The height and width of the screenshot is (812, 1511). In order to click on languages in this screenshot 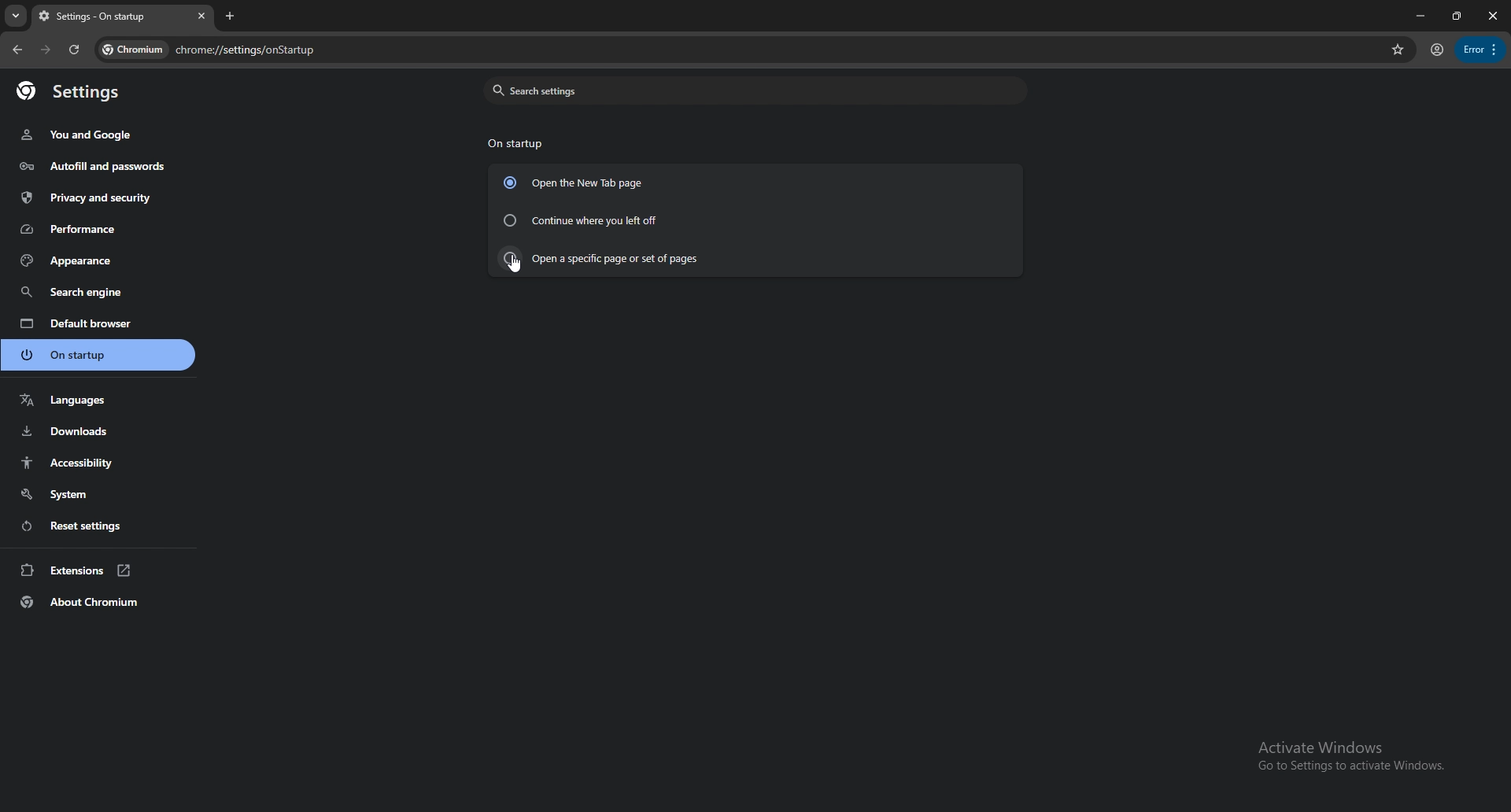, I will do `click(98, 400)`.